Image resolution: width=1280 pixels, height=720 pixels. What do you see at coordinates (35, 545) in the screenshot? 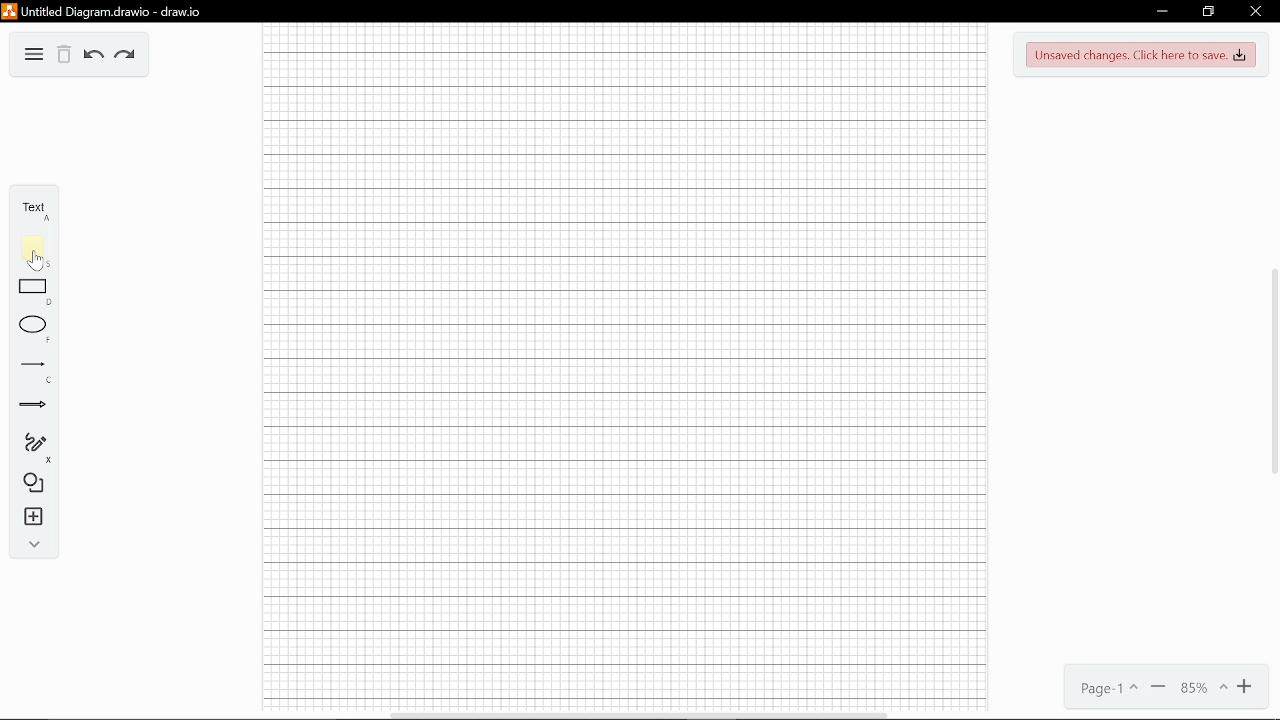
I see `Collapse /expand` at bounding box center [35, 545].